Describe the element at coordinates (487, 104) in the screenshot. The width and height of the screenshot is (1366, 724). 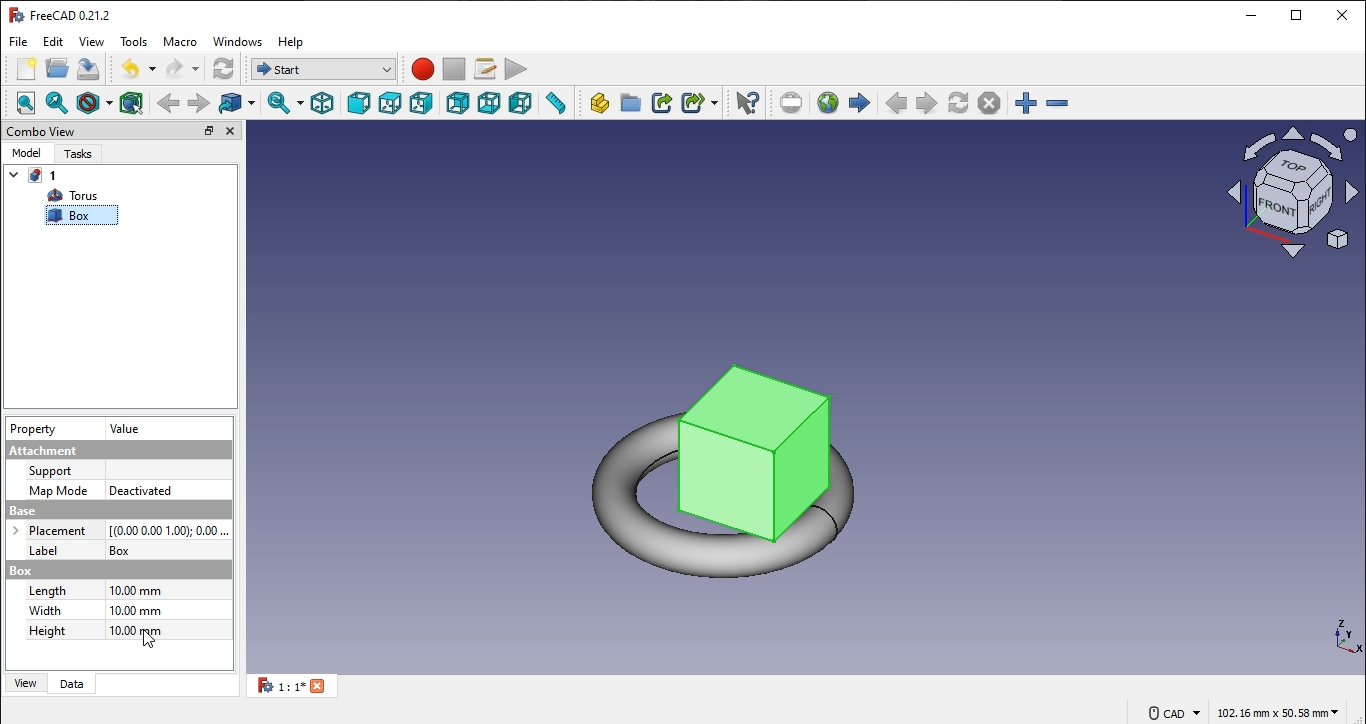
I see `bottom` at that location.